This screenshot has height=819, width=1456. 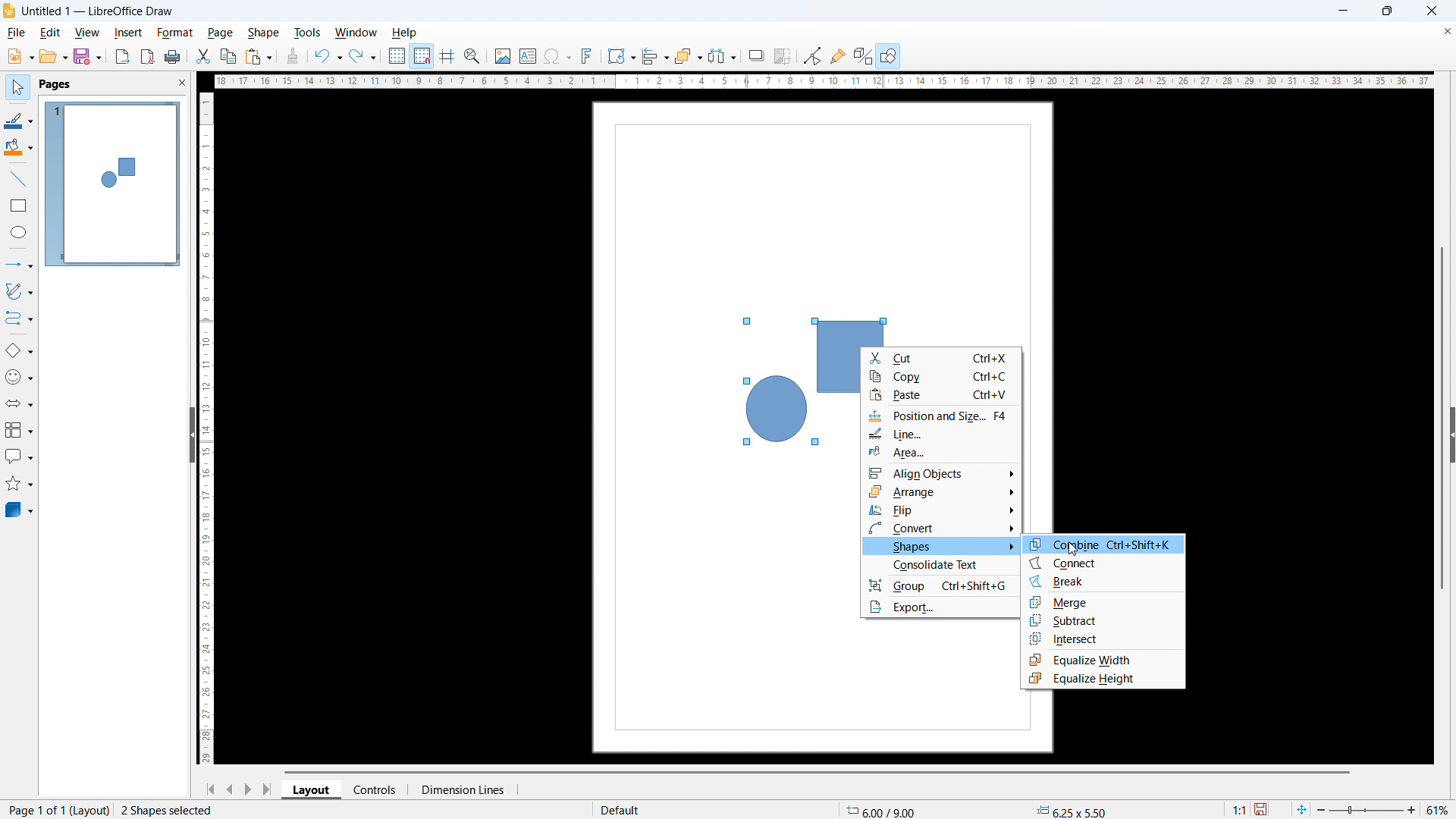 What do you see at coordinates (891, 55) in the screenshot?
I see `open draw functions` at bounding box center [891, 55].